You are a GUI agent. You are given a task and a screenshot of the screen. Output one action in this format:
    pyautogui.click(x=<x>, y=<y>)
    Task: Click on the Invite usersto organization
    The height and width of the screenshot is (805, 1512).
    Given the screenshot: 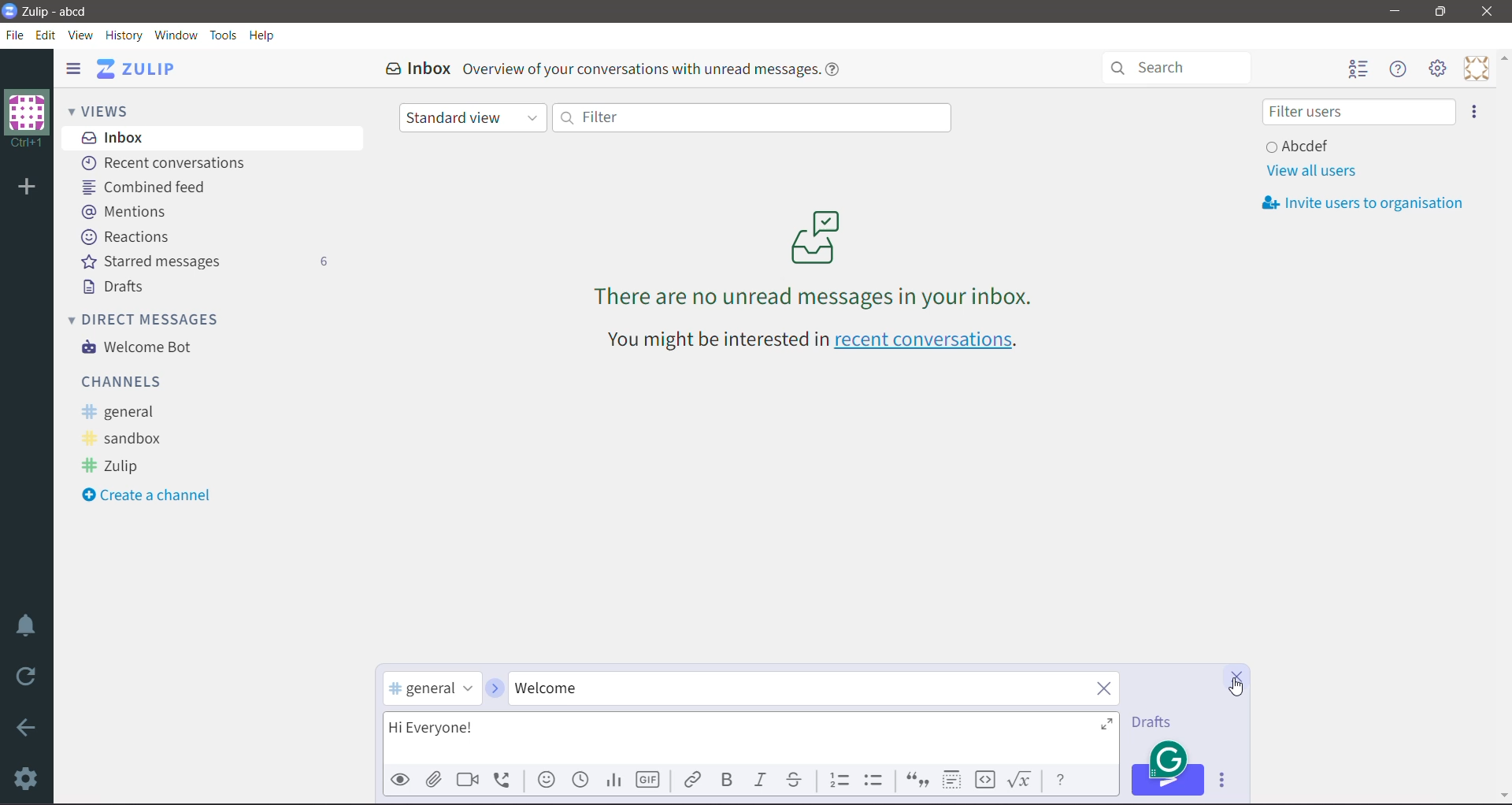 What is the action you would take?
    pyautogui.click(x=1369, y=203)
    